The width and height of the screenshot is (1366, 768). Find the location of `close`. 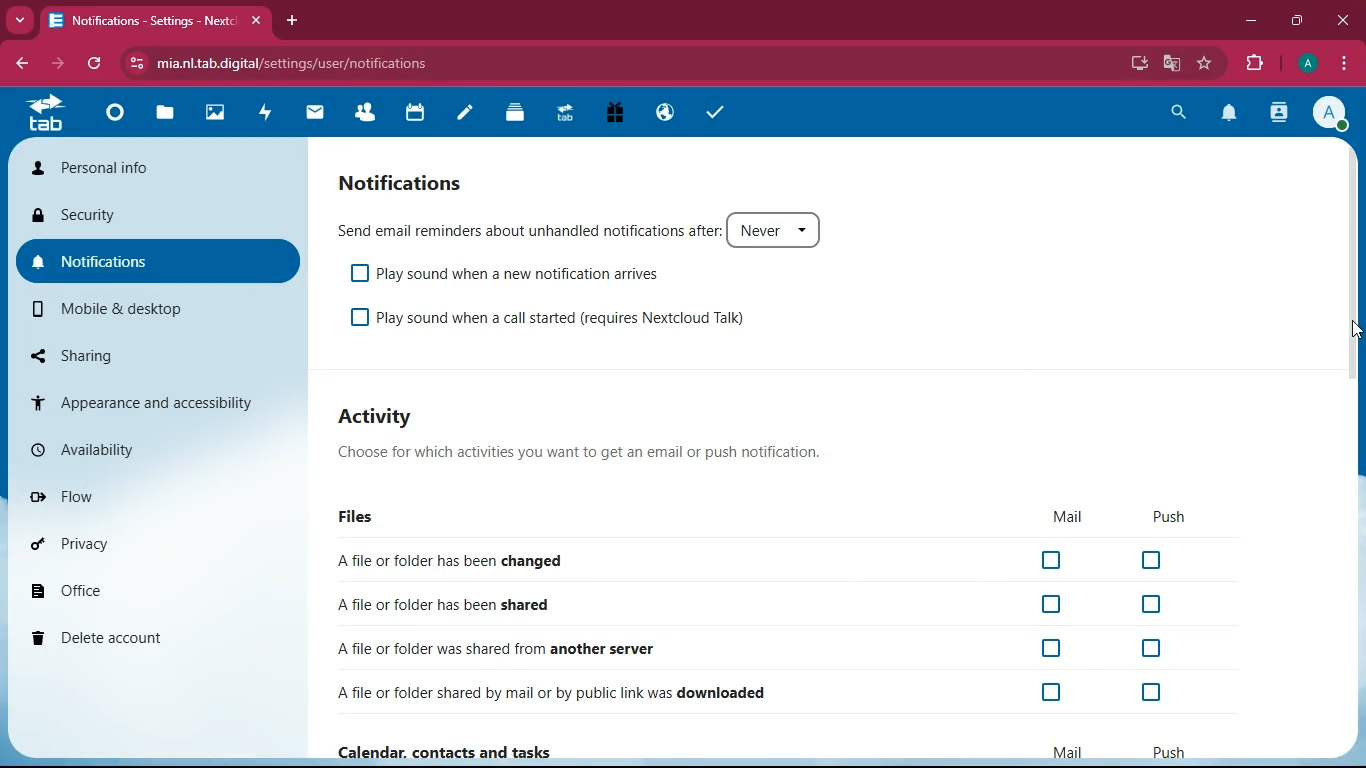

close is located at coordinates (254, 21).